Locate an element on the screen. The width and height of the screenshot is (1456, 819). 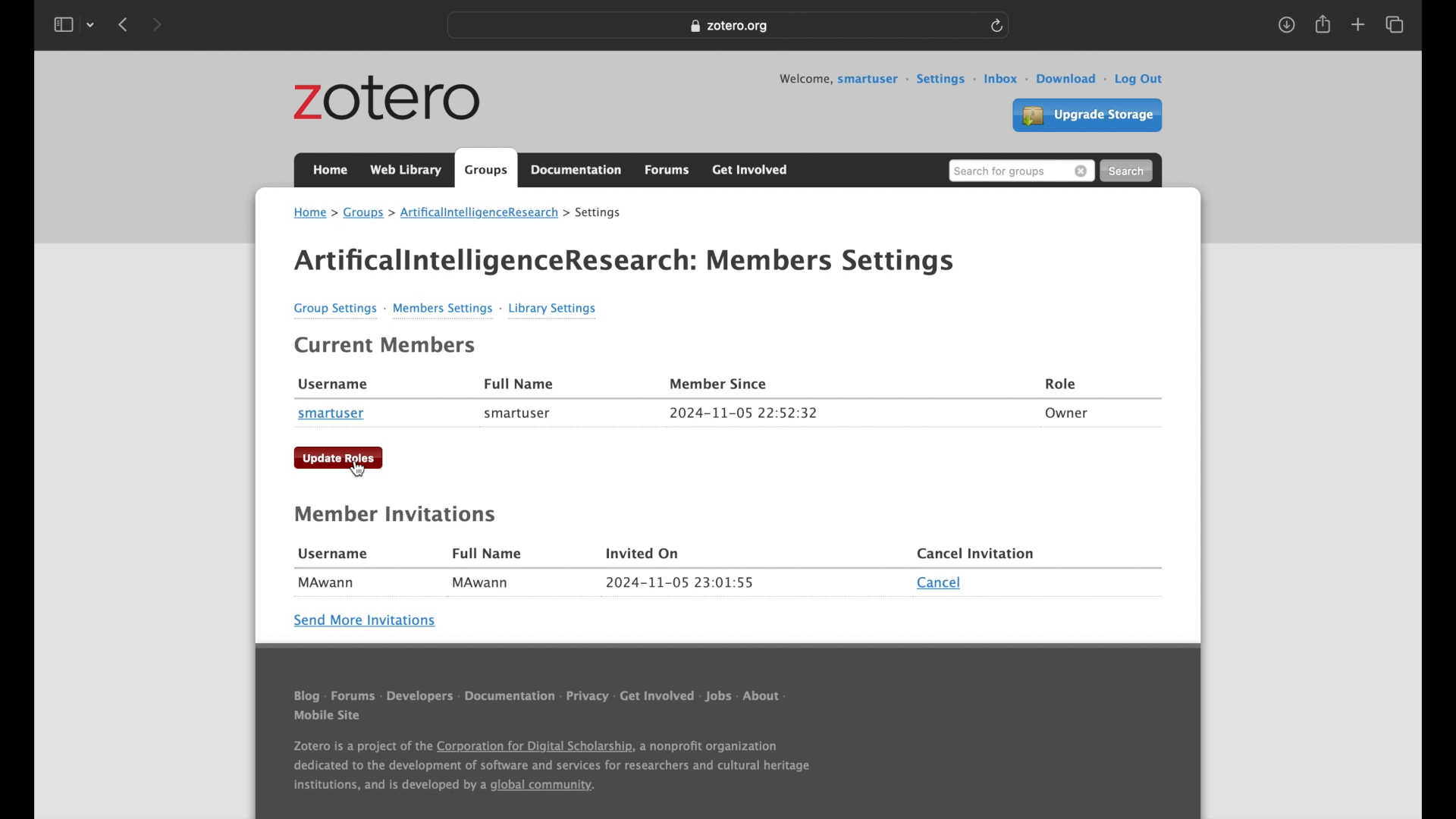
share tab is located at coordinates (1324, 25).